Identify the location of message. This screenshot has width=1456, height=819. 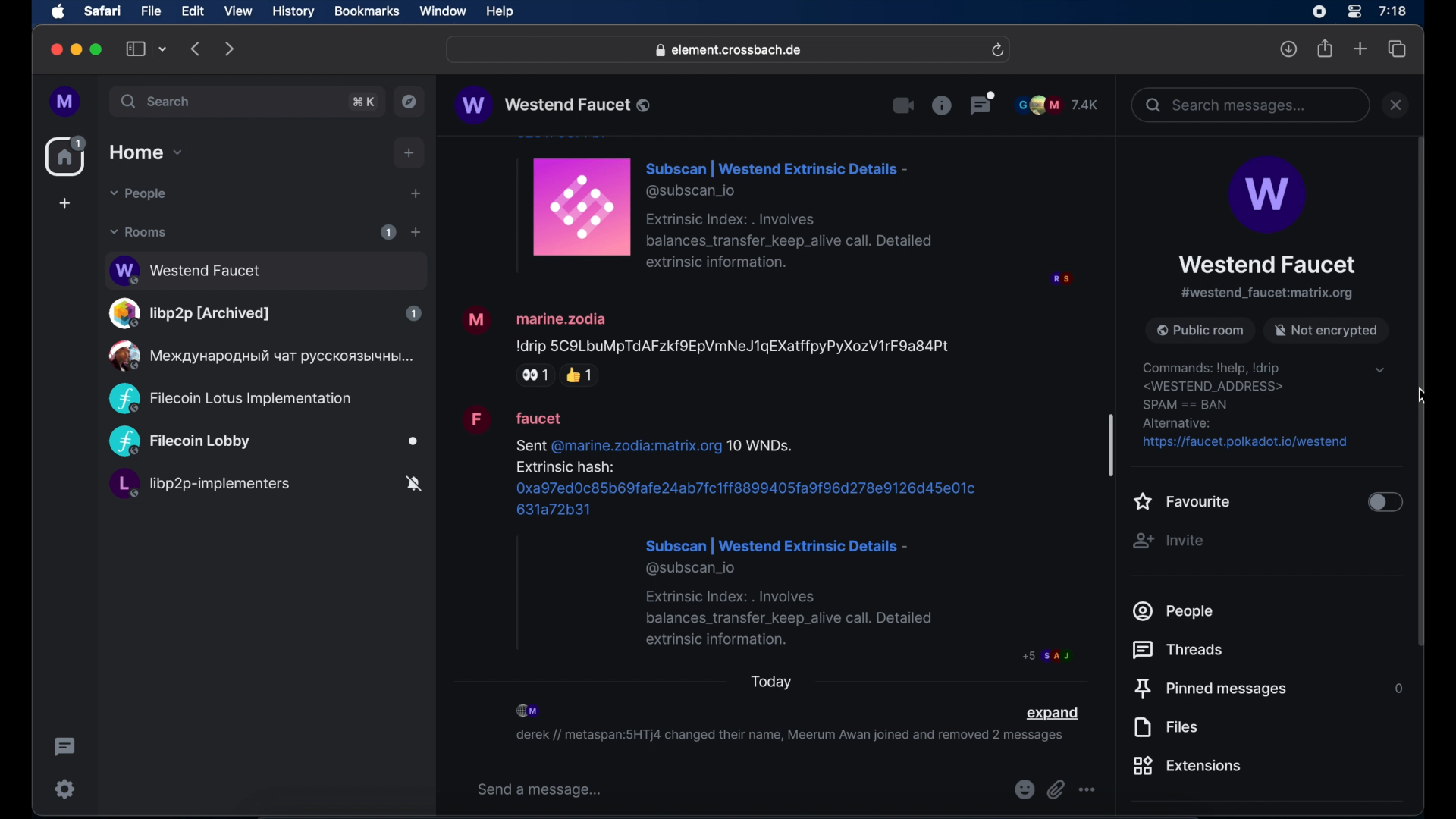
(791, 212).